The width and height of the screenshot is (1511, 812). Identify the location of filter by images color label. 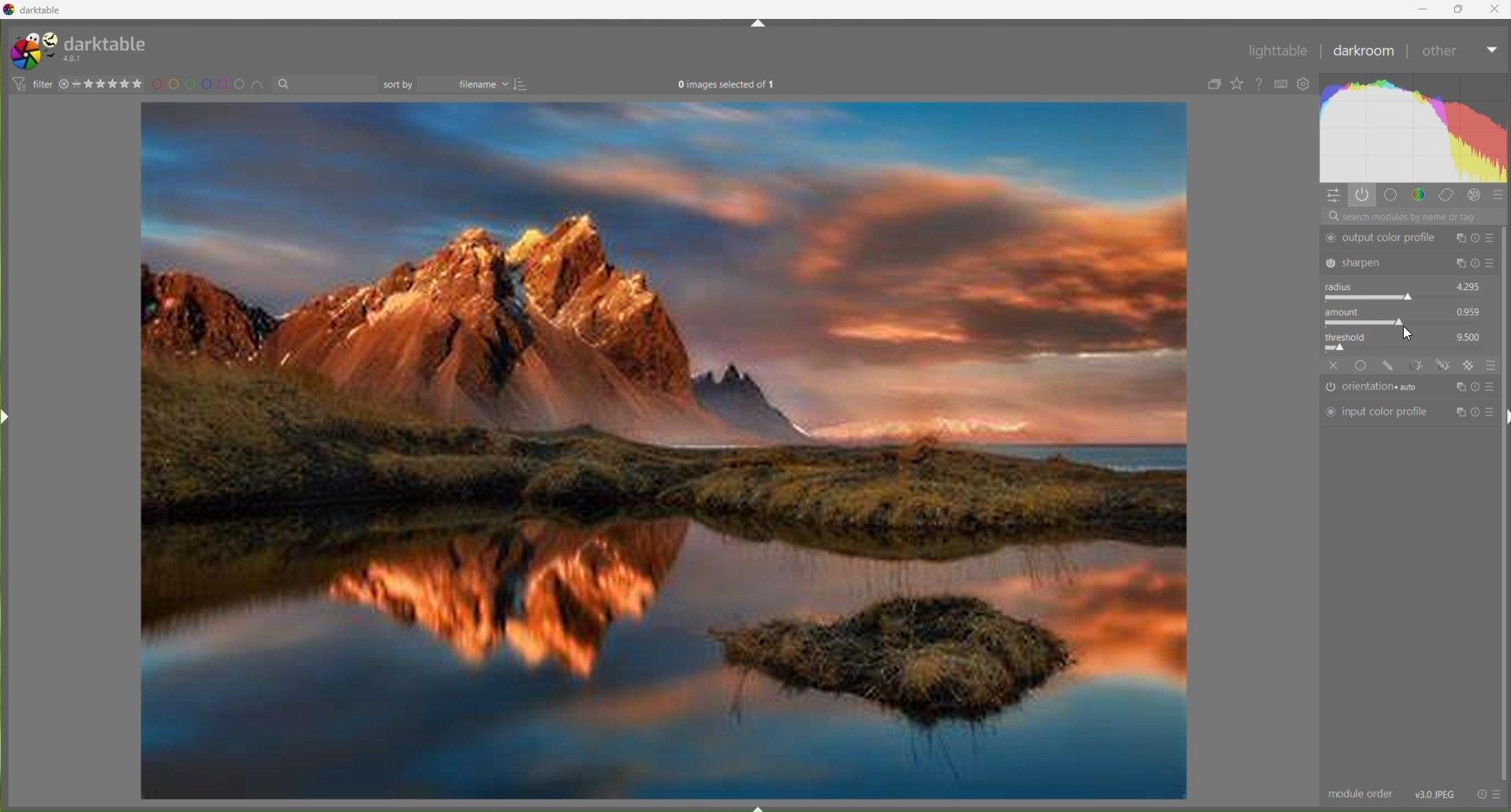
(210, 84).